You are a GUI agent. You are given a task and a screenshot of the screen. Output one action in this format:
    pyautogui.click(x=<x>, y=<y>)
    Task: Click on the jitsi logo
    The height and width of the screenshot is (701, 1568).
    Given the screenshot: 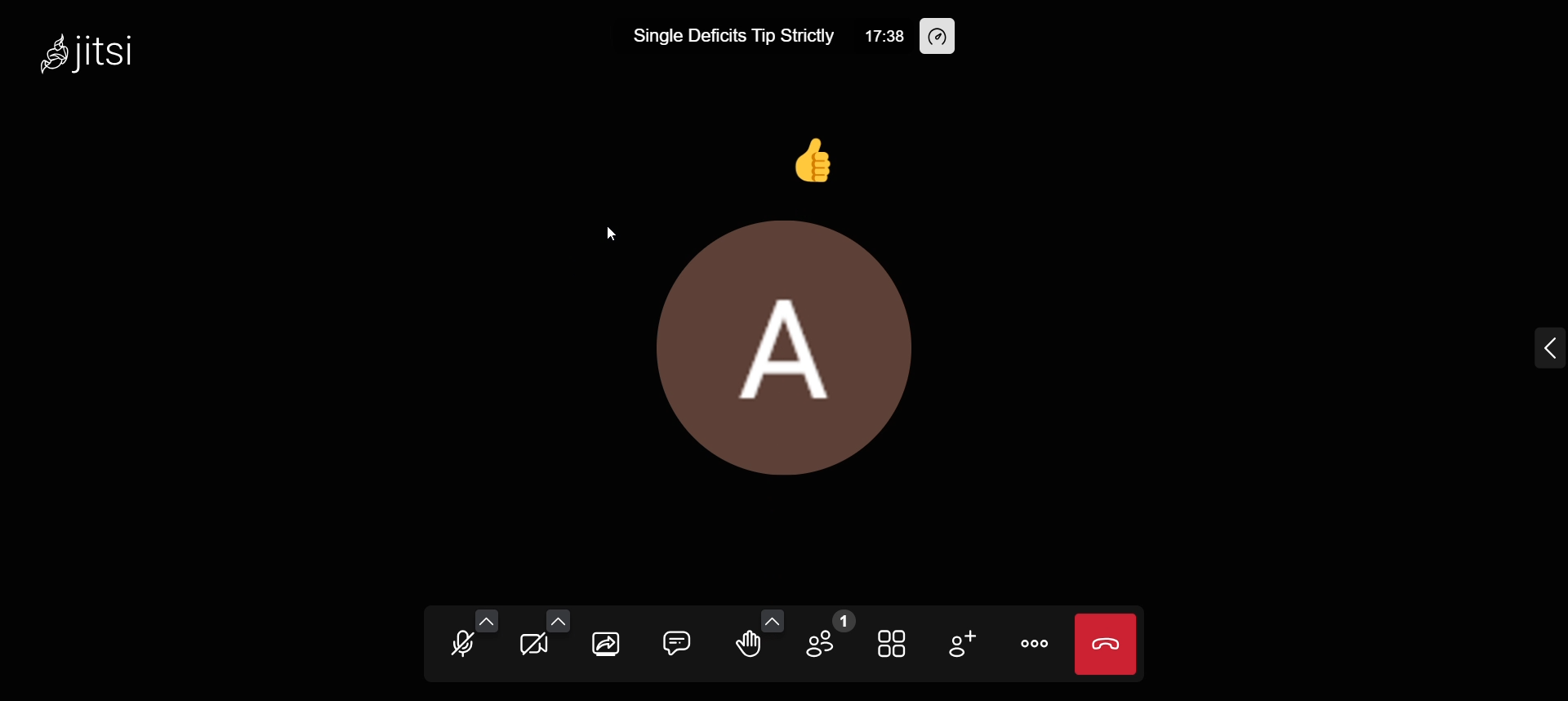 What is the action you would take?
    pyautogui.click(x=47, y=58)
    